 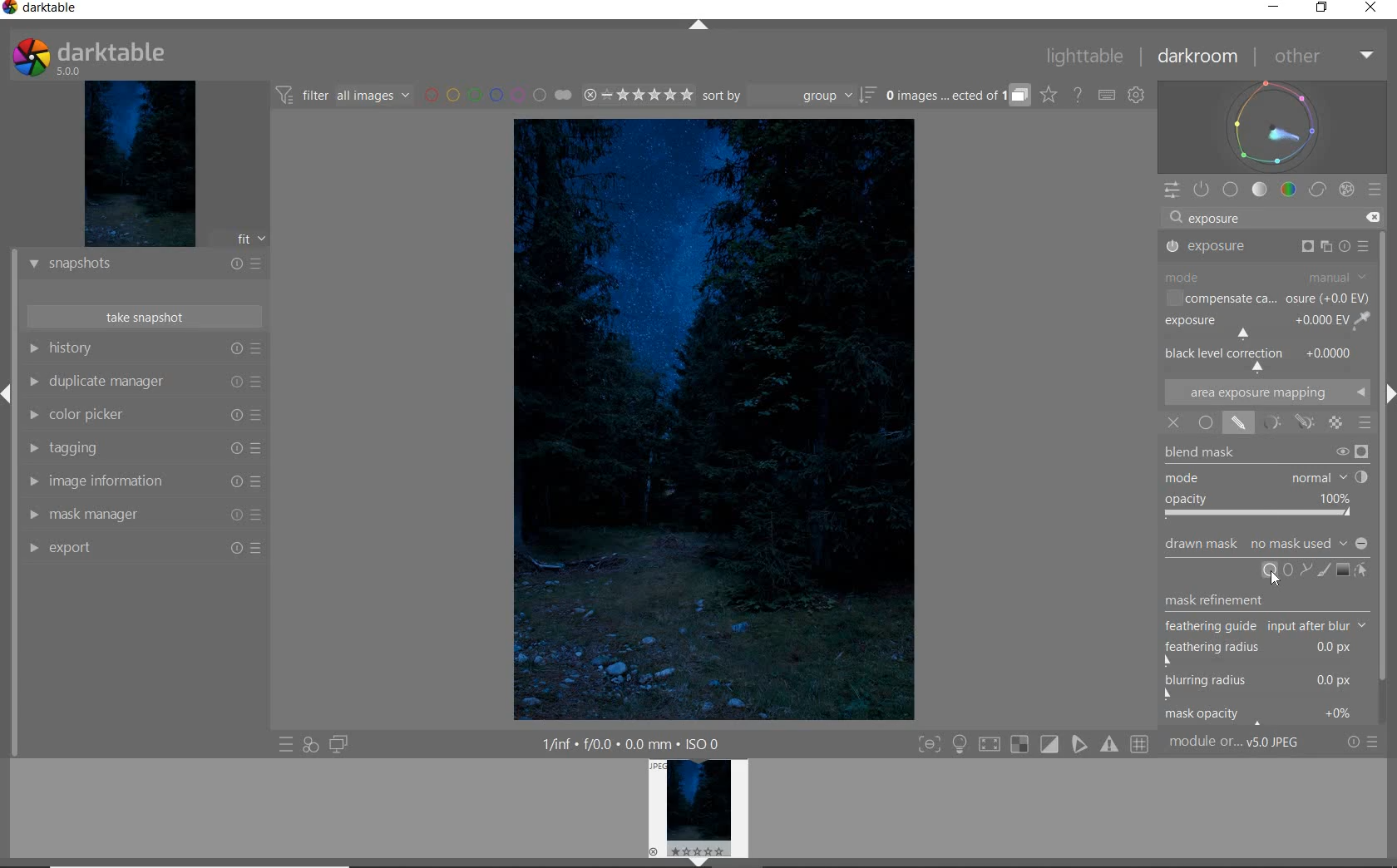 What do you see at coordinates (8, 392) in the screenshot?
I see `Expand/Collapse` at bounding box center [8, 392].